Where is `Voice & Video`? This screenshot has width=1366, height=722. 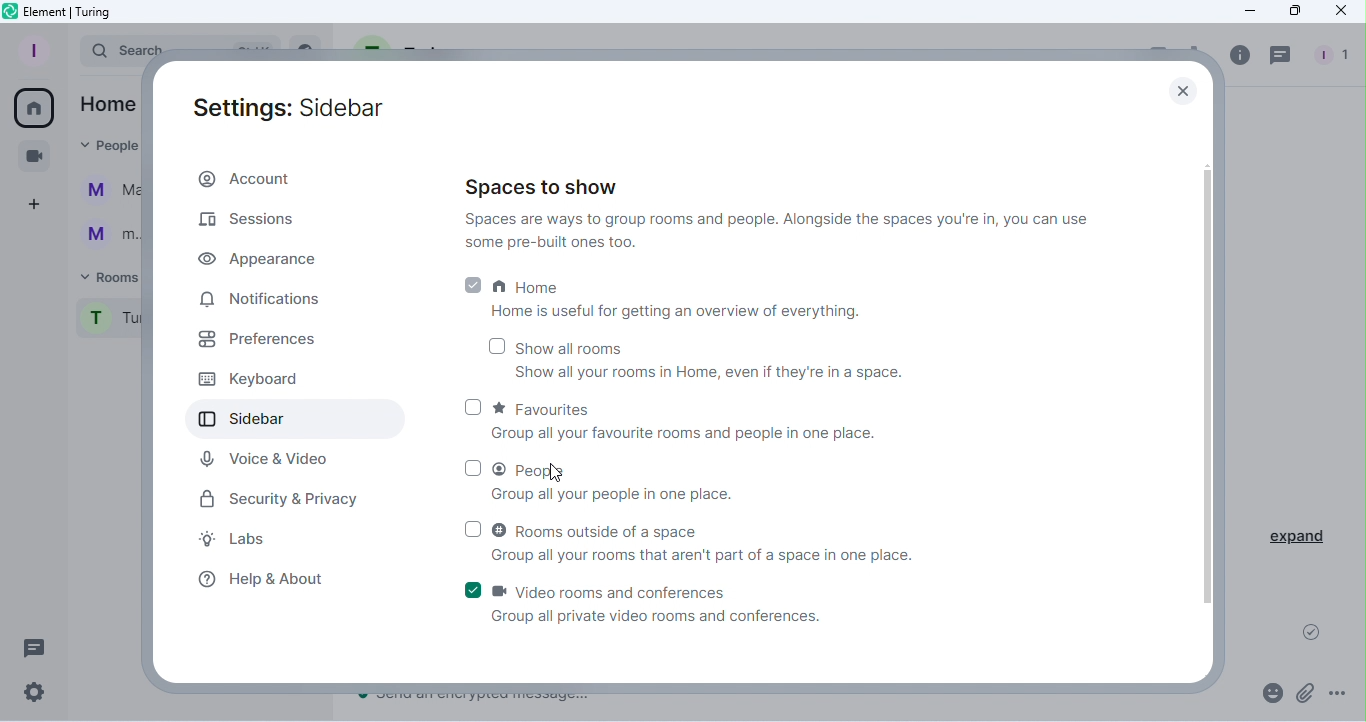 Voice & Video is located at coordinates (272, 459).